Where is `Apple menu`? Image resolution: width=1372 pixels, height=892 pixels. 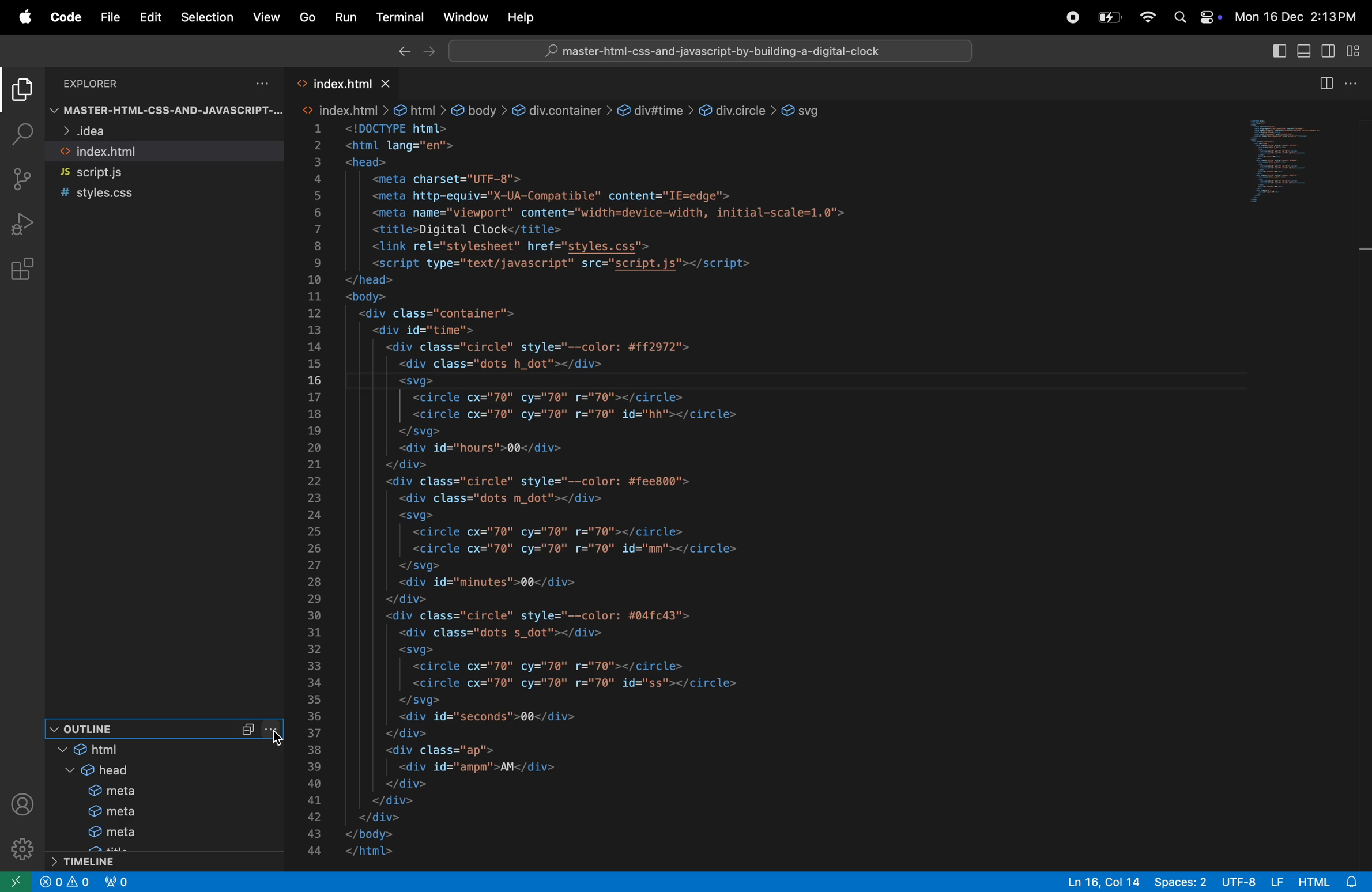
Apple menu is located at coordinates (18, 16).